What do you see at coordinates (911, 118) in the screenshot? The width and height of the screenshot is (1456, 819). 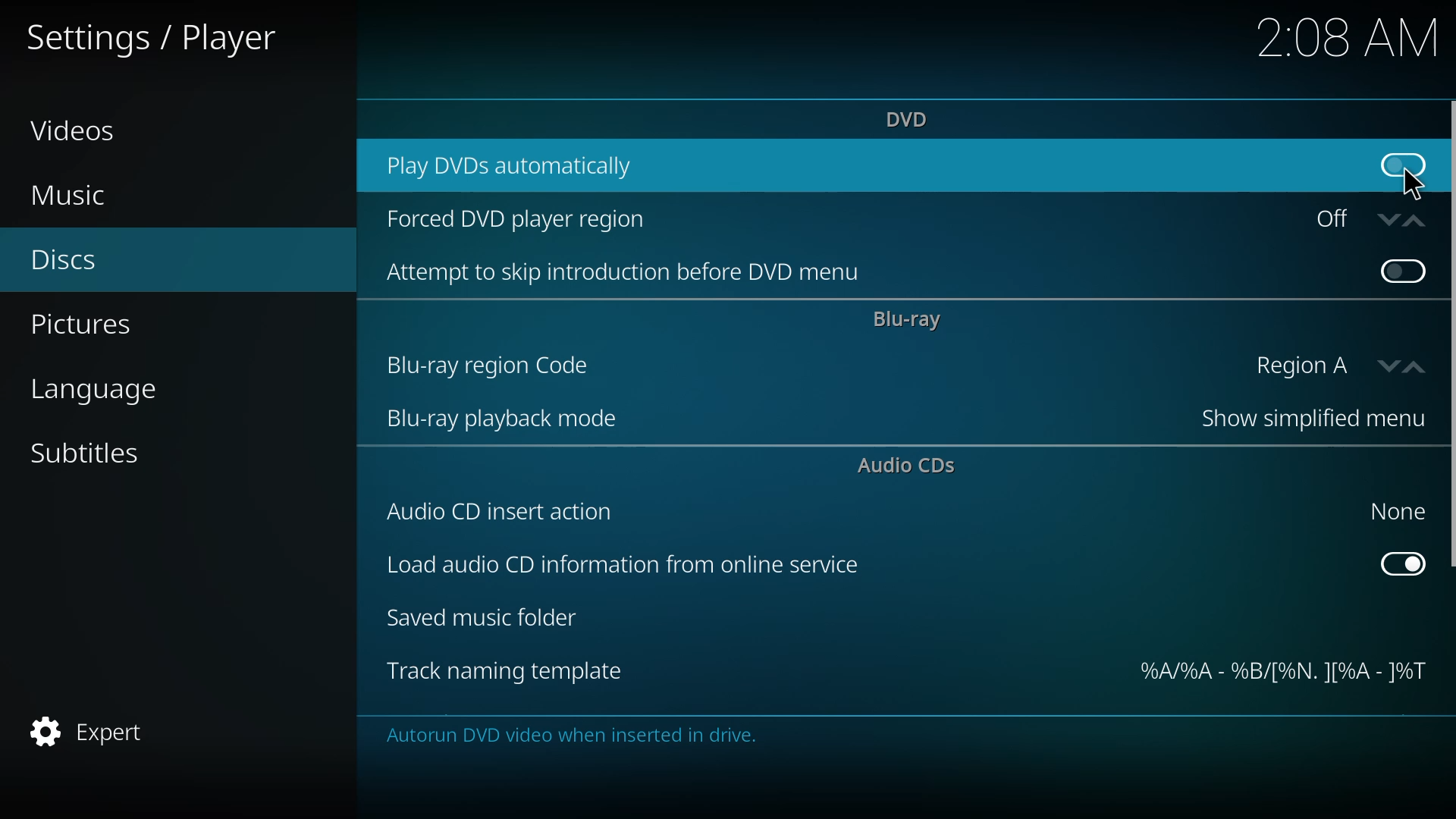 I see `dvd` at bounding box center [911, 118].